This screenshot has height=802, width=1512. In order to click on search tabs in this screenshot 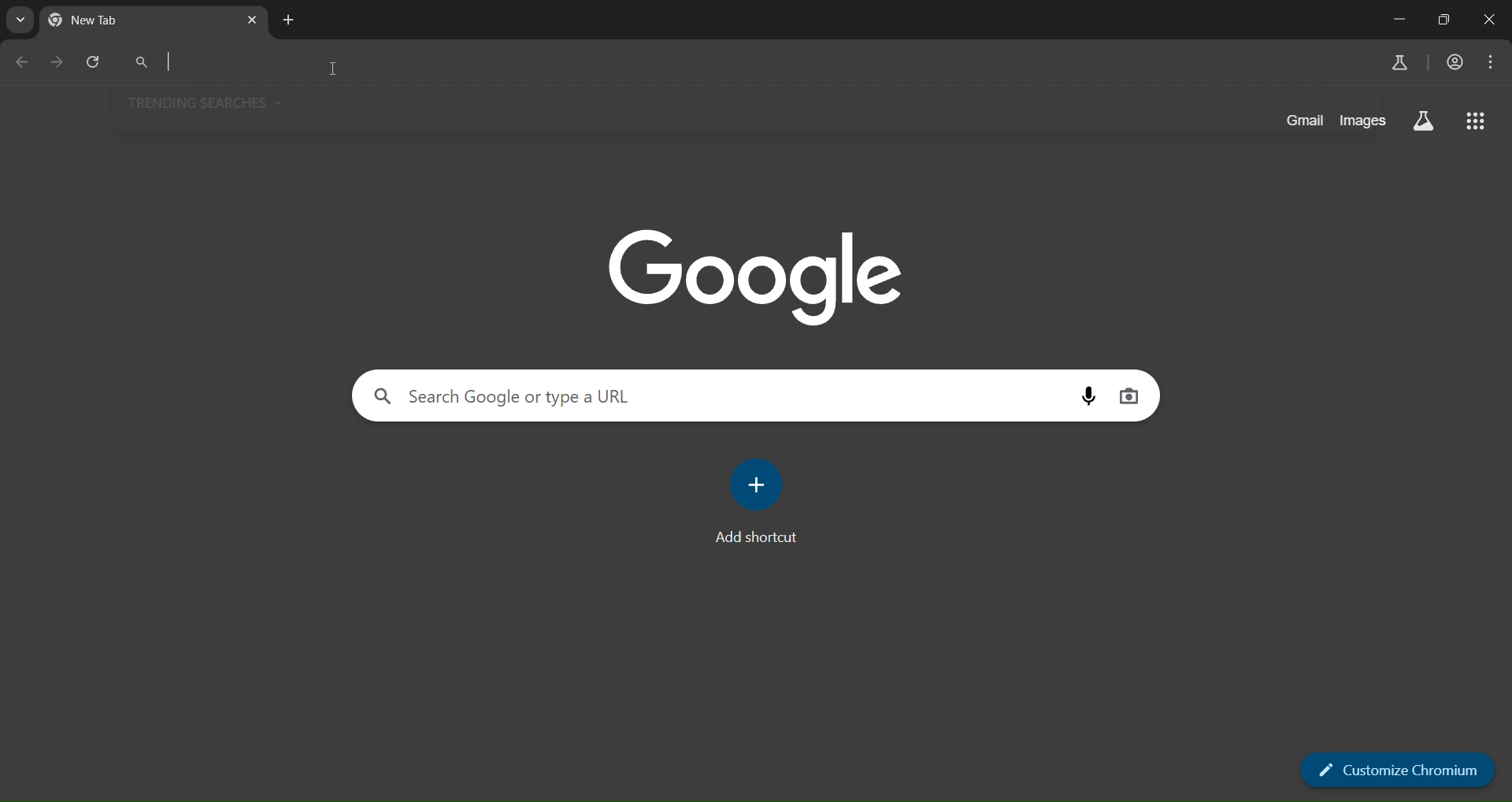, I will do `click(19, 20)`.